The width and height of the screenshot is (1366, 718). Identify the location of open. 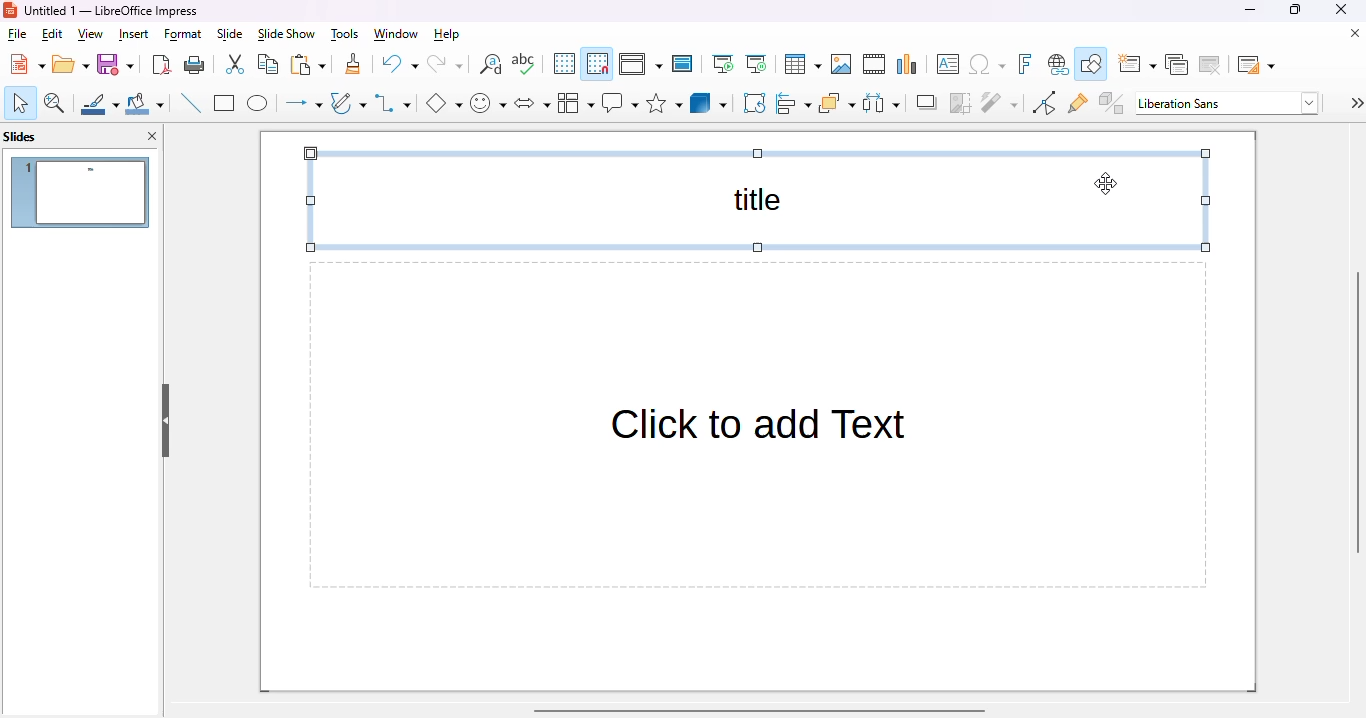
(71, 64).